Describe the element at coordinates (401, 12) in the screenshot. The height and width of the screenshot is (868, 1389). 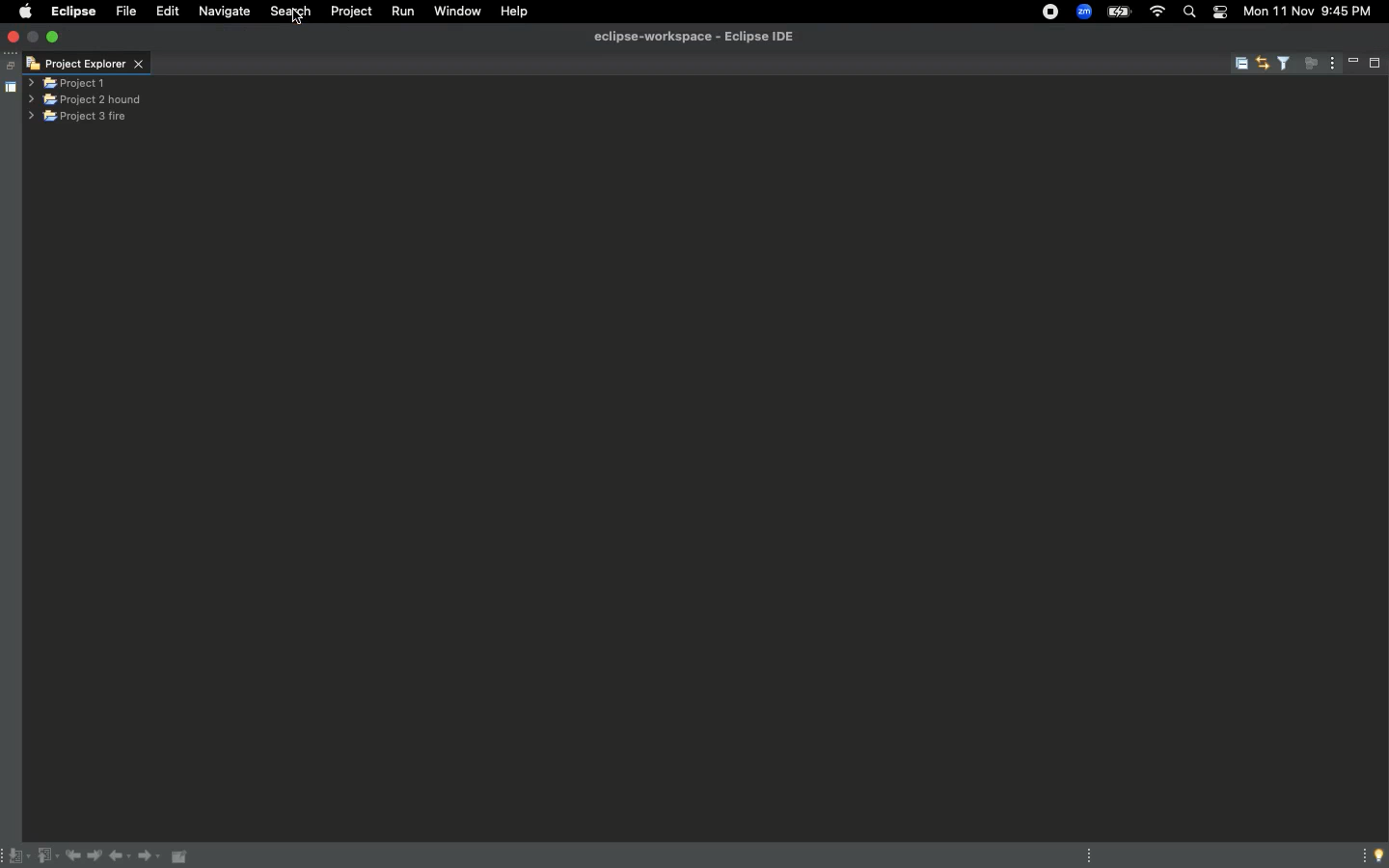
I see `Run` at that location.